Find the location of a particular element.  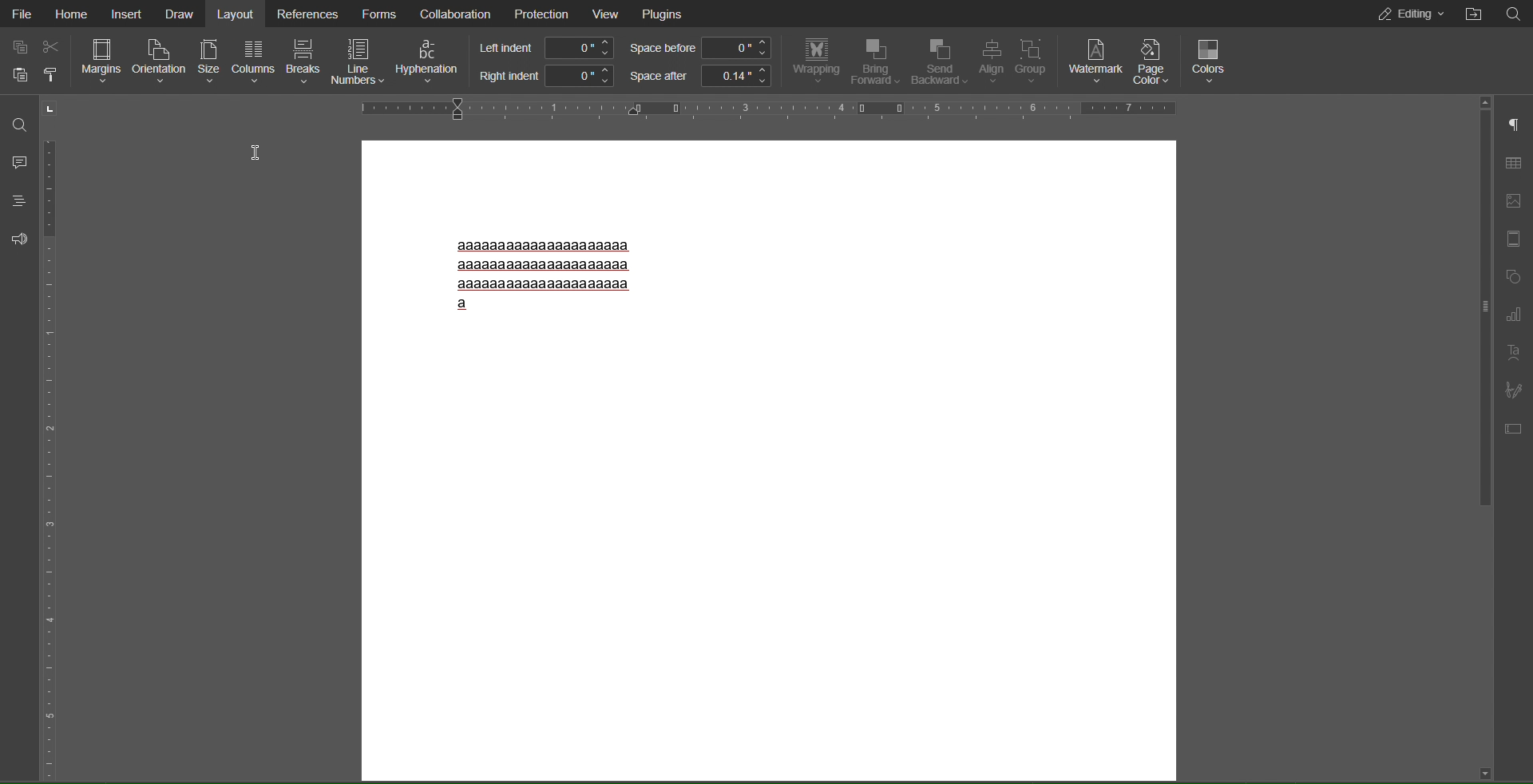

Bring Forward is located at coordinates (877, 61).